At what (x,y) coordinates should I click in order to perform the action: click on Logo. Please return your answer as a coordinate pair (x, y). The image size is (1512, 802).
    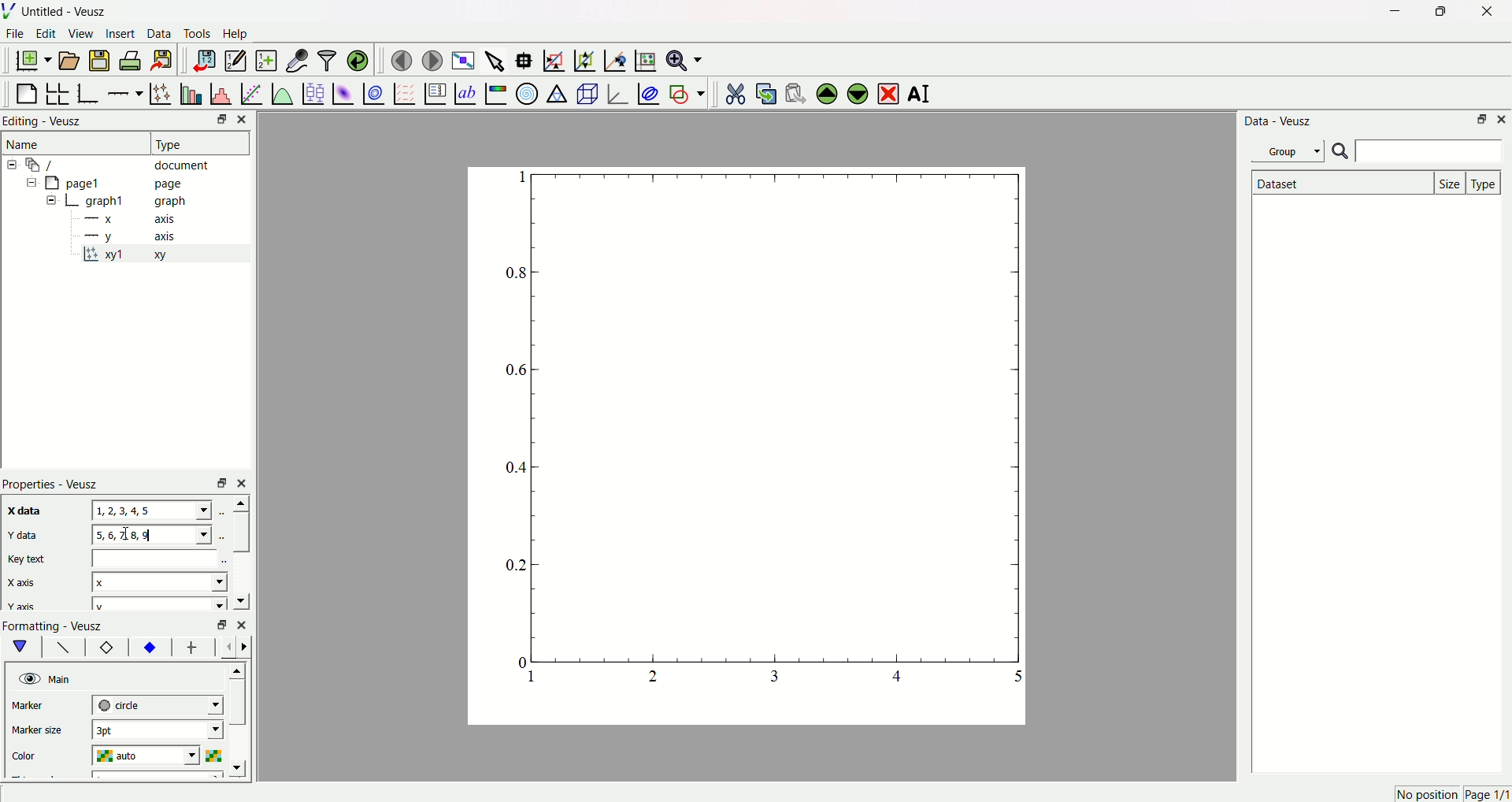
    Looking at the image, I should click on (12, 12).